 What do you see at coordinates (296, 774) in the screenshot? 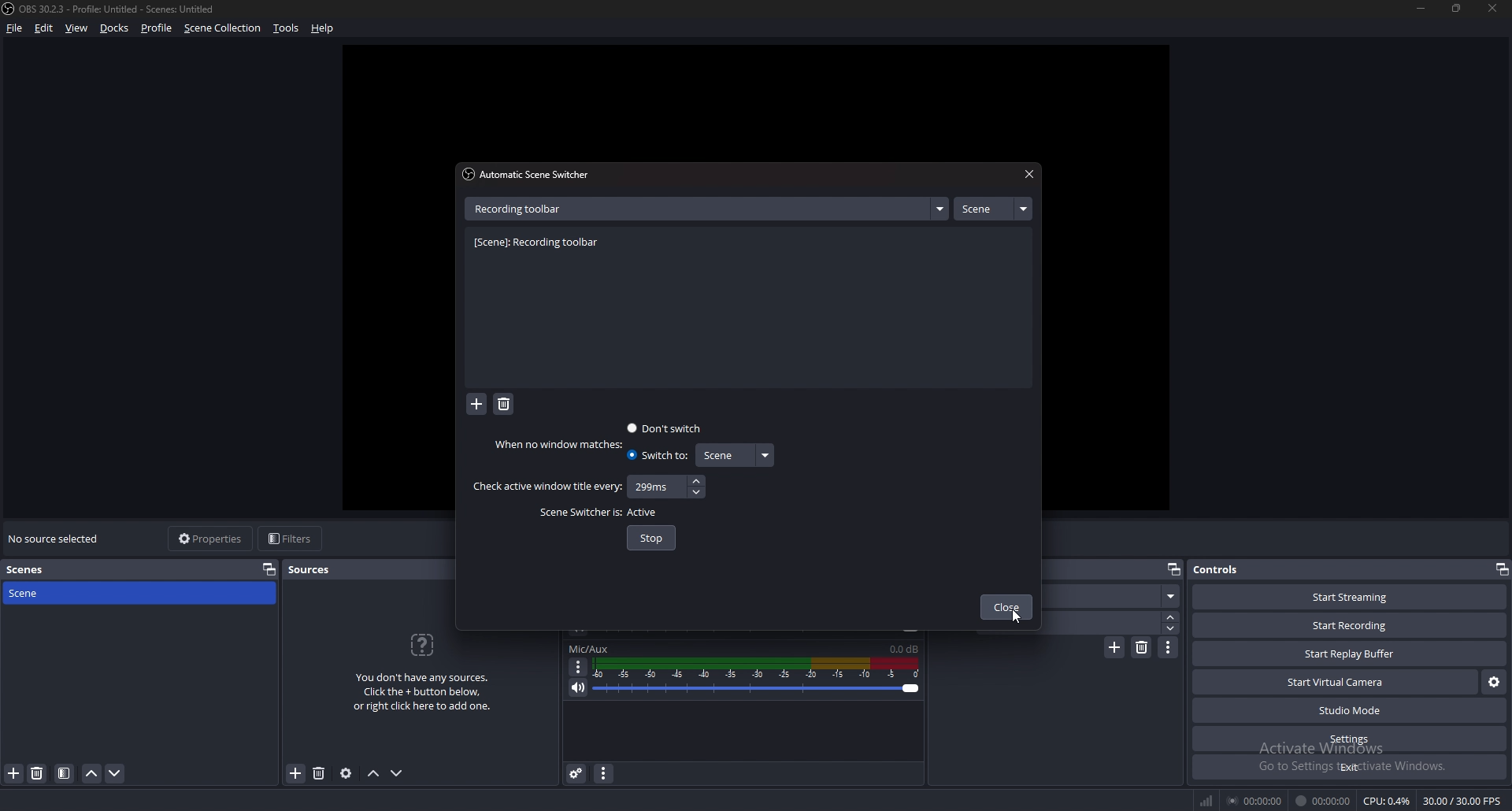
I see `add source` at bounding box center [296, 774].